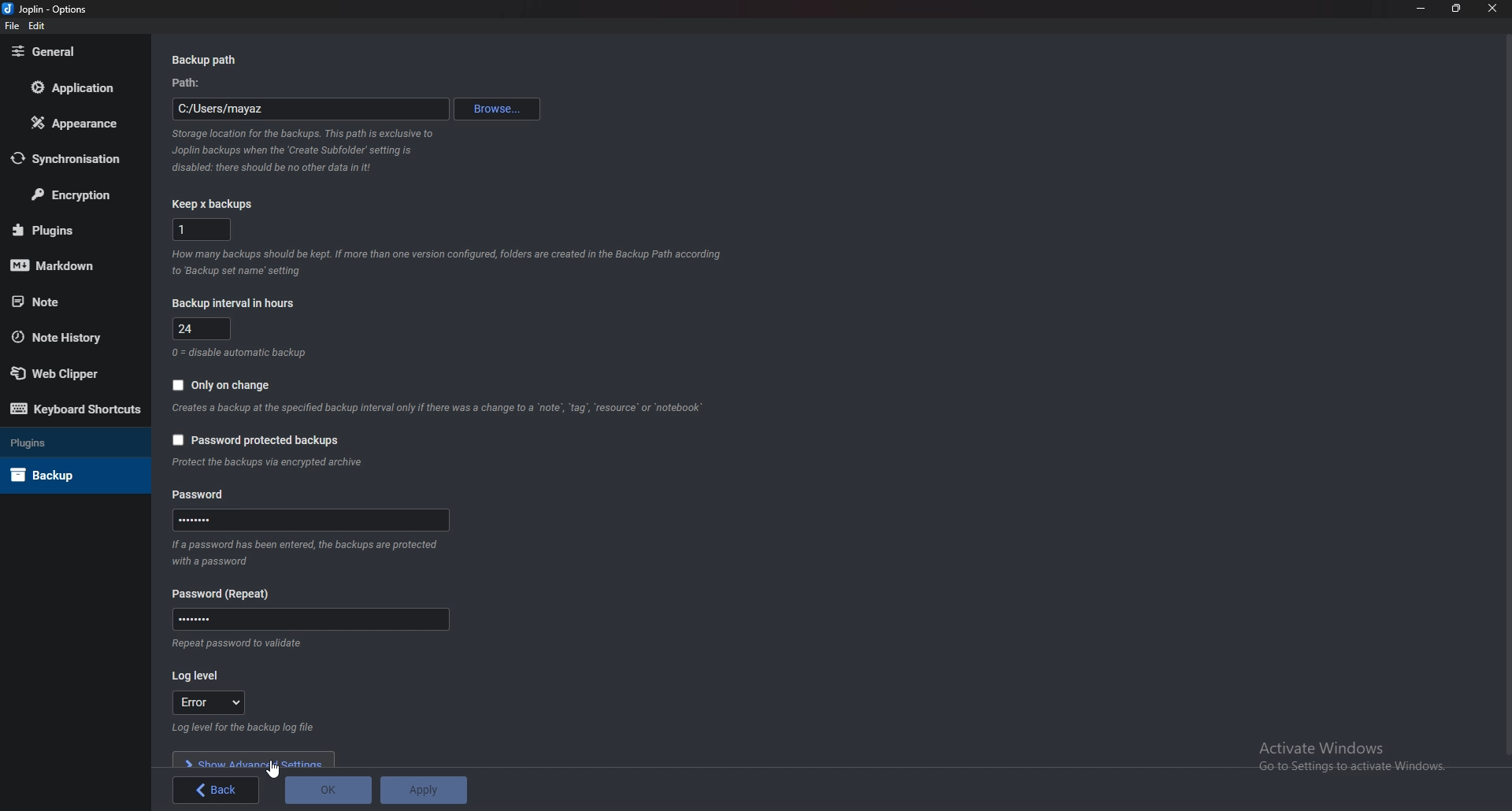  What do you see at coordinates (202, 674) in the screenshot?
I see `log level` at bounding box center [202, 674].